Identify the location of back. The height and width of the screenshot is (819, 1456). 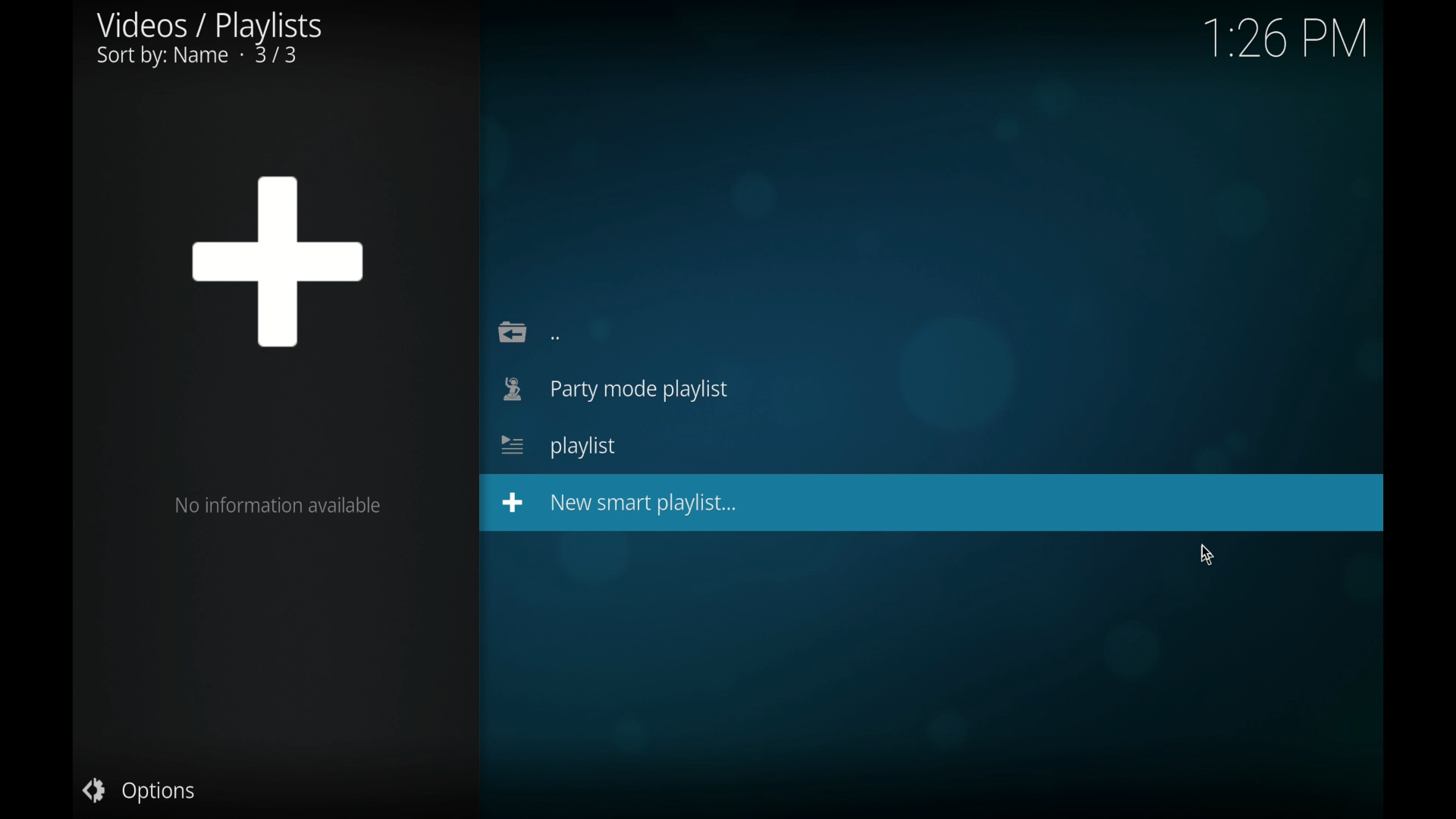
(529, 331).